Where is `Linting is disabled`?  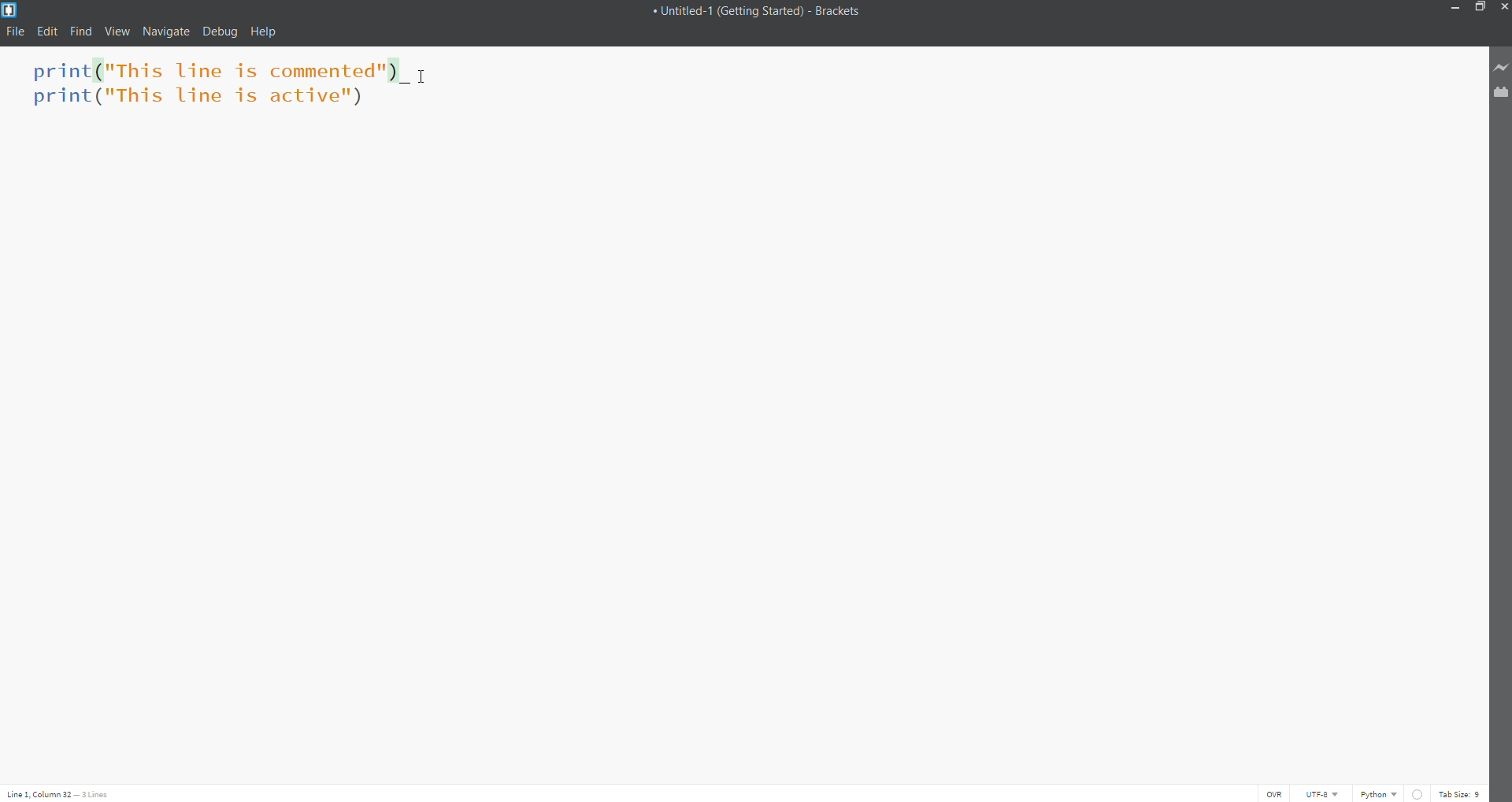 Linting is disabled is located at coordinates (1418, 794).